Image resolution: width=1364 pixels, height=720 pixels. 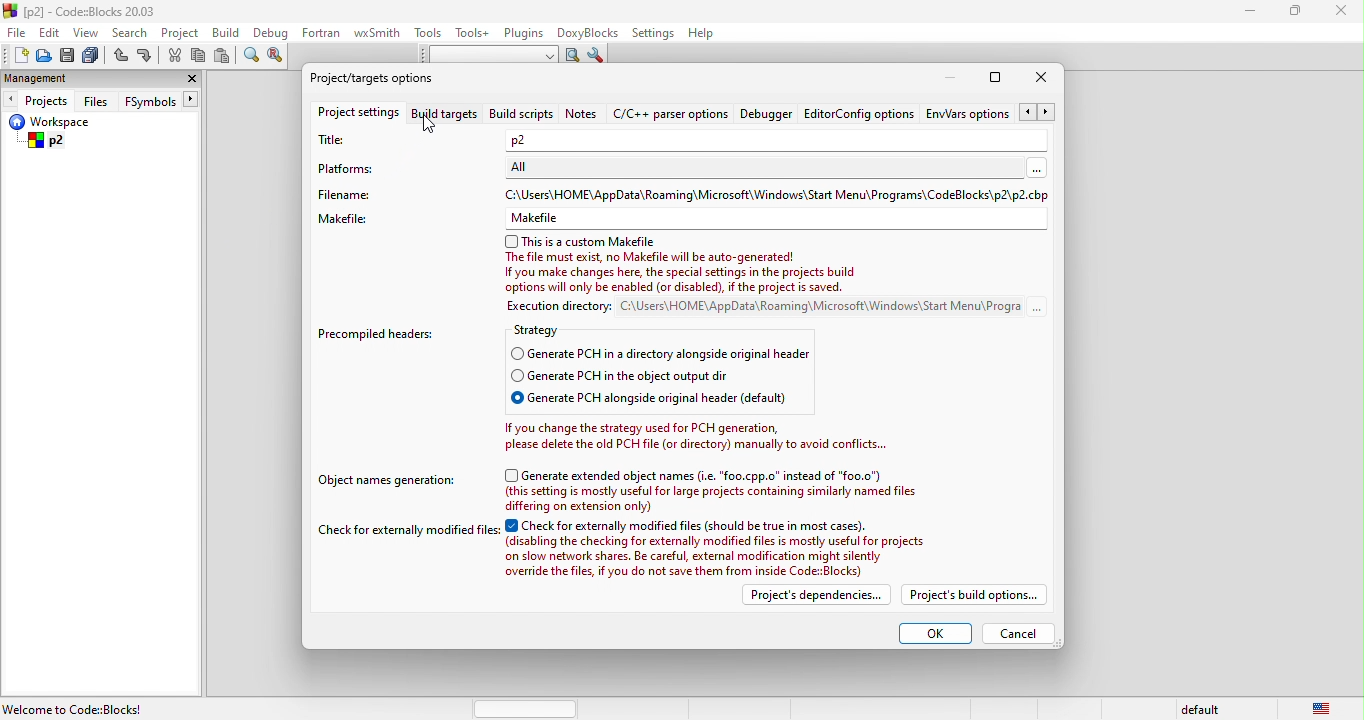 What do you see at coordinates (378, 76) in the screenshot?
I see `project/target option` at bounding box center [378, 76].